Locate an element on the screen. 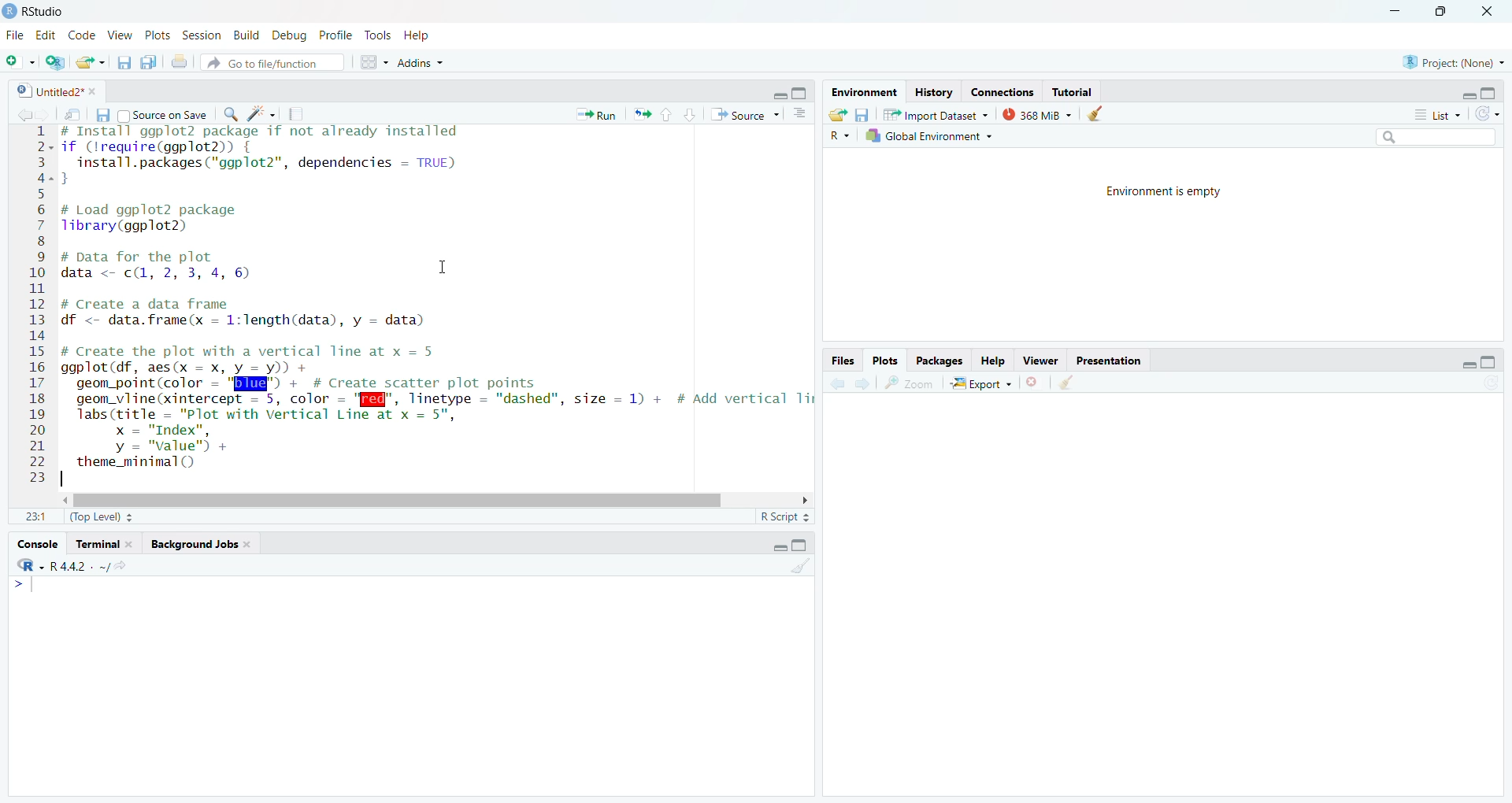  1g Profile is located at coordinates (335, 36).